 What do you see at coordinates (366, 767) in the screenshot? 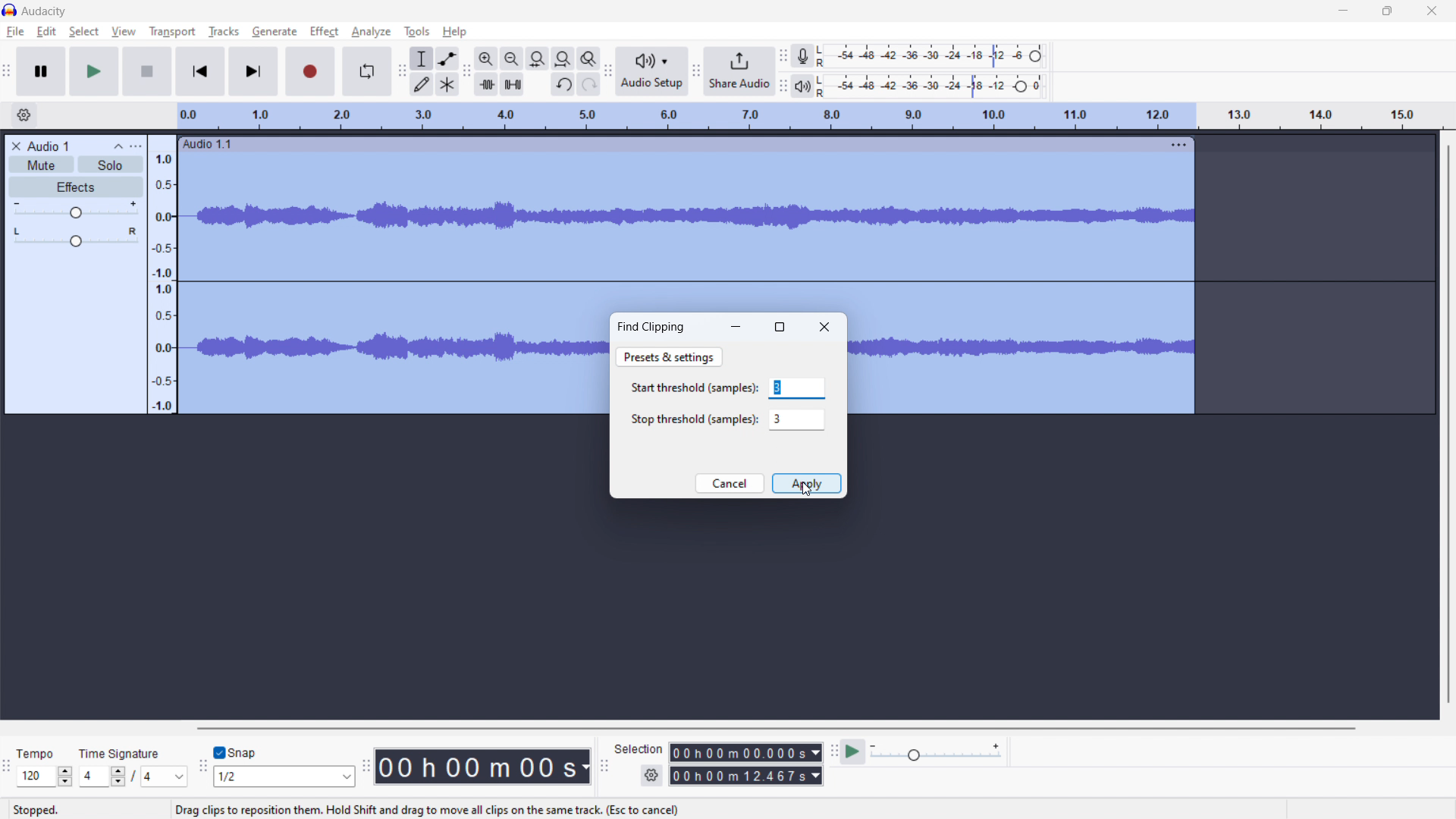
I see `time toolbar` at bounding box center [366, 767].